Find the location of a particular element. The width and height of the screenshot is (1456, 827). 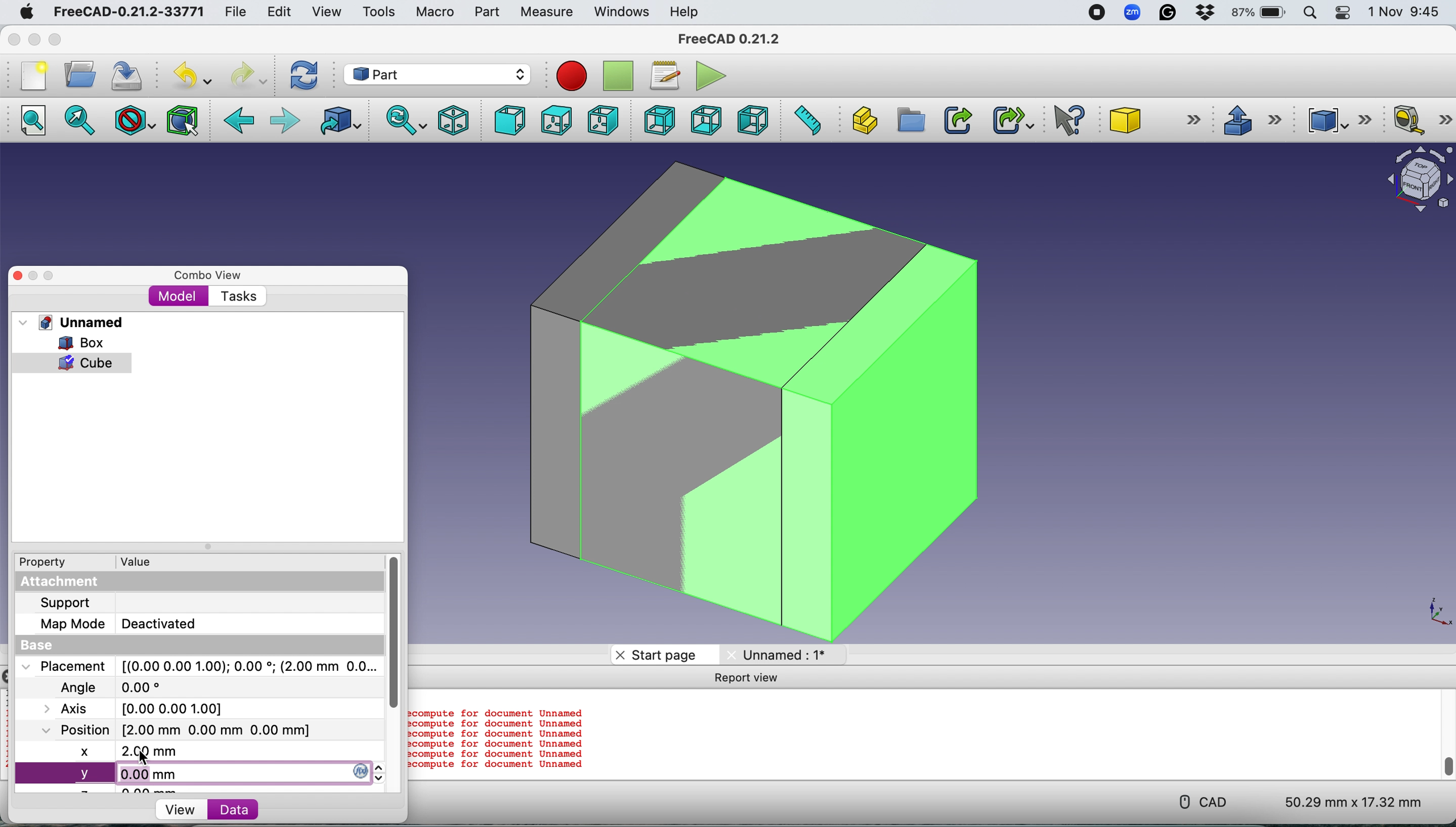

Control center is located at coordinates (1345, 13).